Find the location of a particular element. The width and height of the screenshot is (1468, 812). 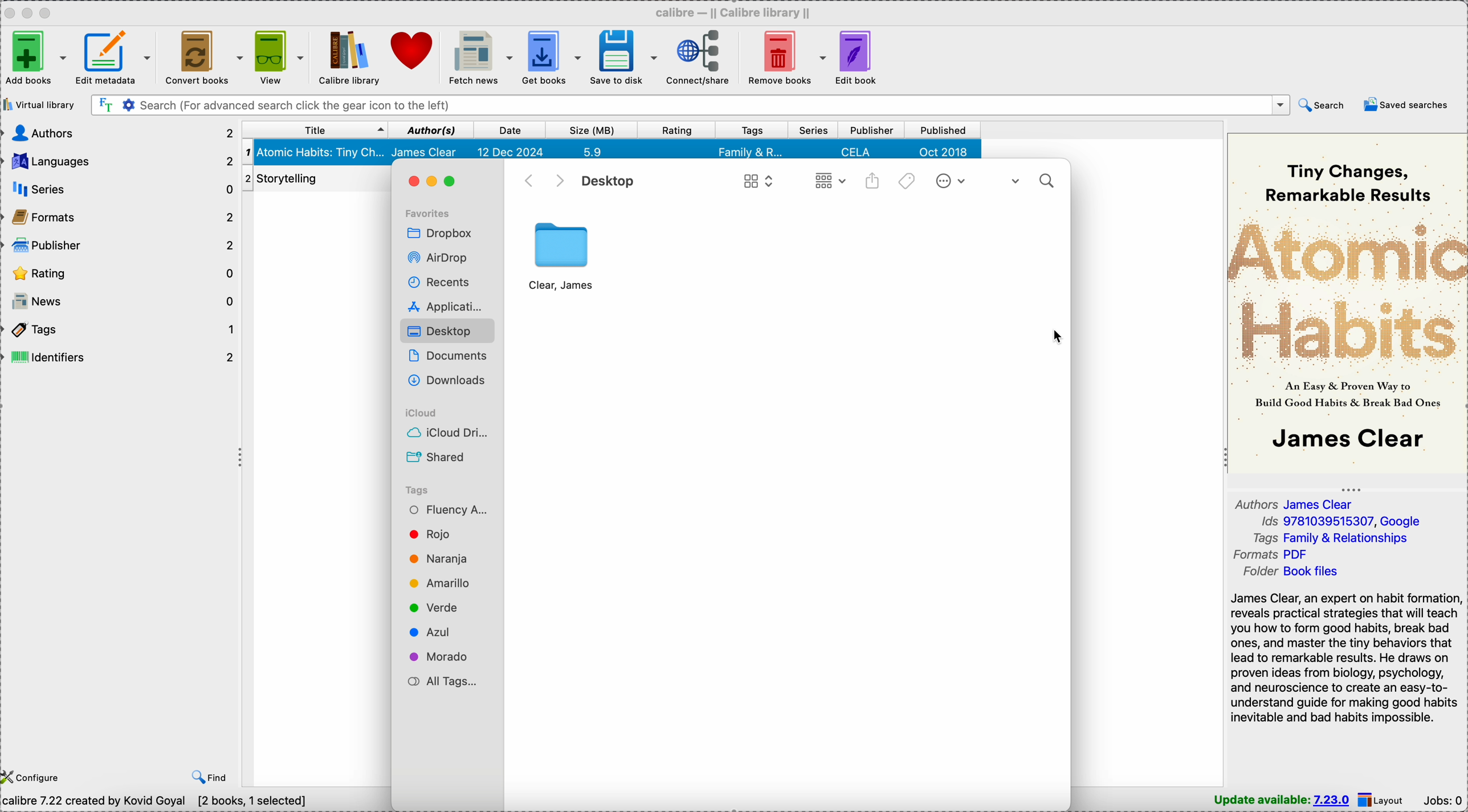

list view is located at coordinates (830, 182).